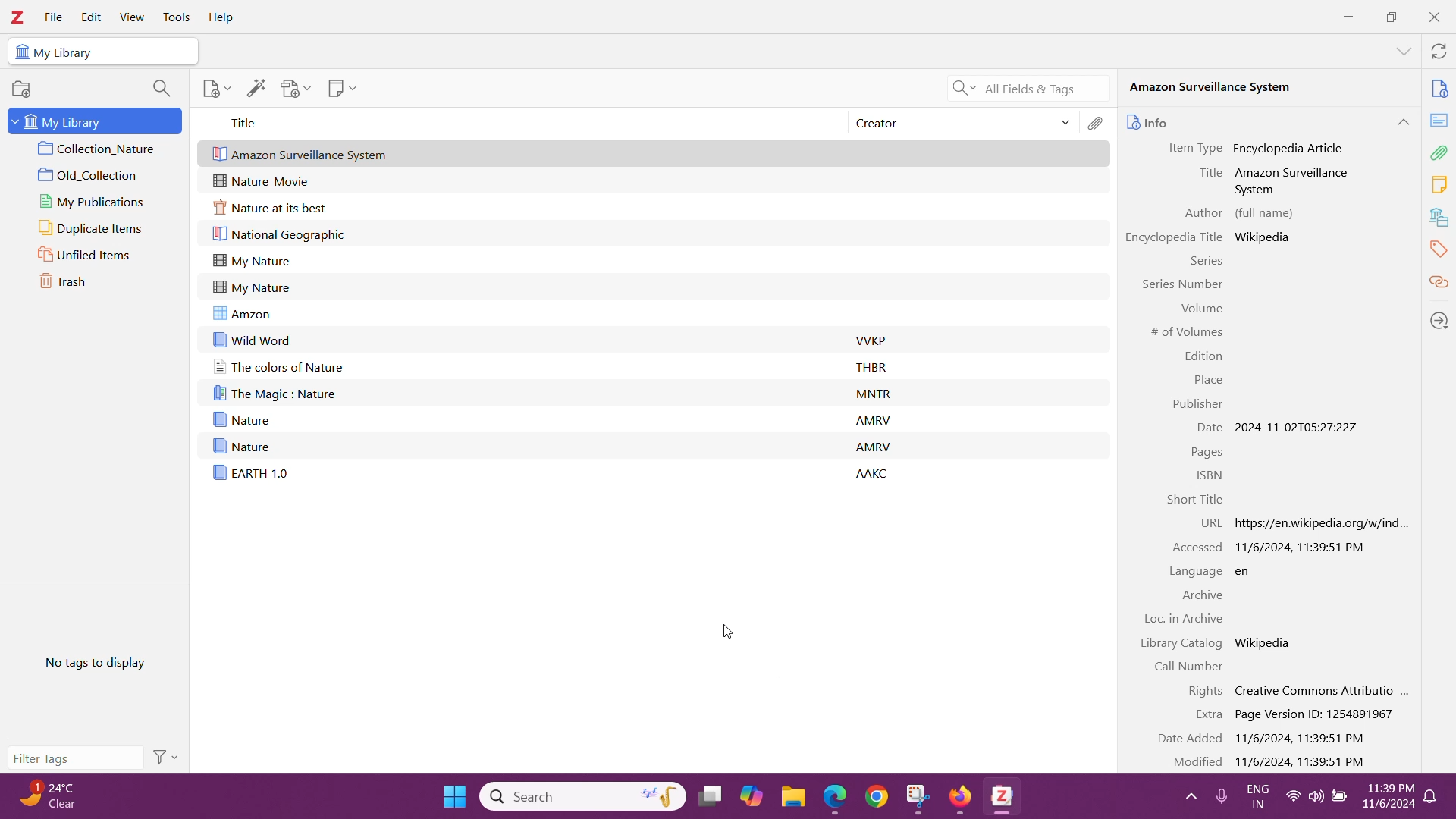 This screenshot has width=1456, height=819. I want to click on notifications, so click(1429, 797).